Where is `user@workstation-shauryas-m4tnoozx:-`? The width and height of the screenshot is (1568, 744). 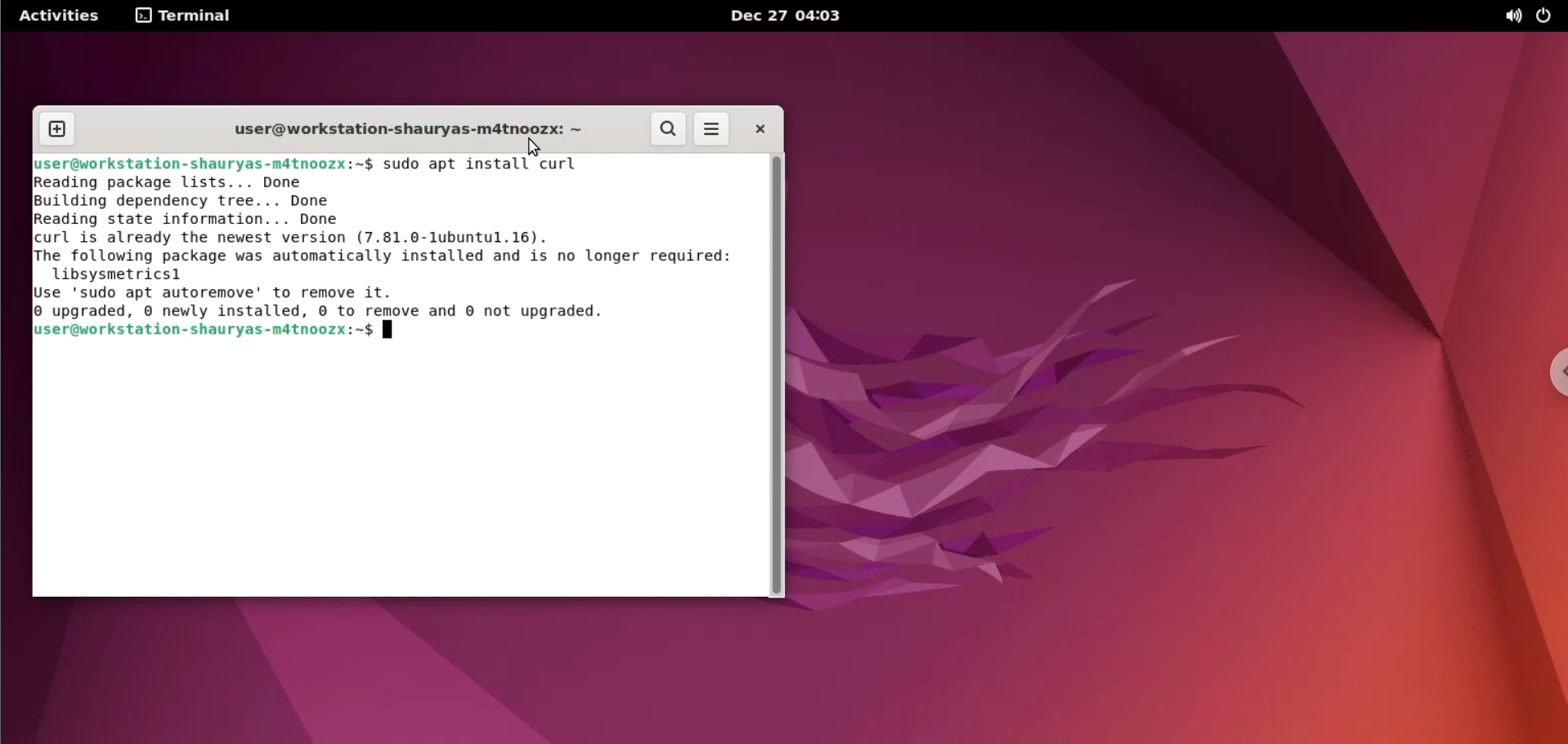
user@workstation-shauryas-m4tnoozx:- is located at coordinates (395, 127).